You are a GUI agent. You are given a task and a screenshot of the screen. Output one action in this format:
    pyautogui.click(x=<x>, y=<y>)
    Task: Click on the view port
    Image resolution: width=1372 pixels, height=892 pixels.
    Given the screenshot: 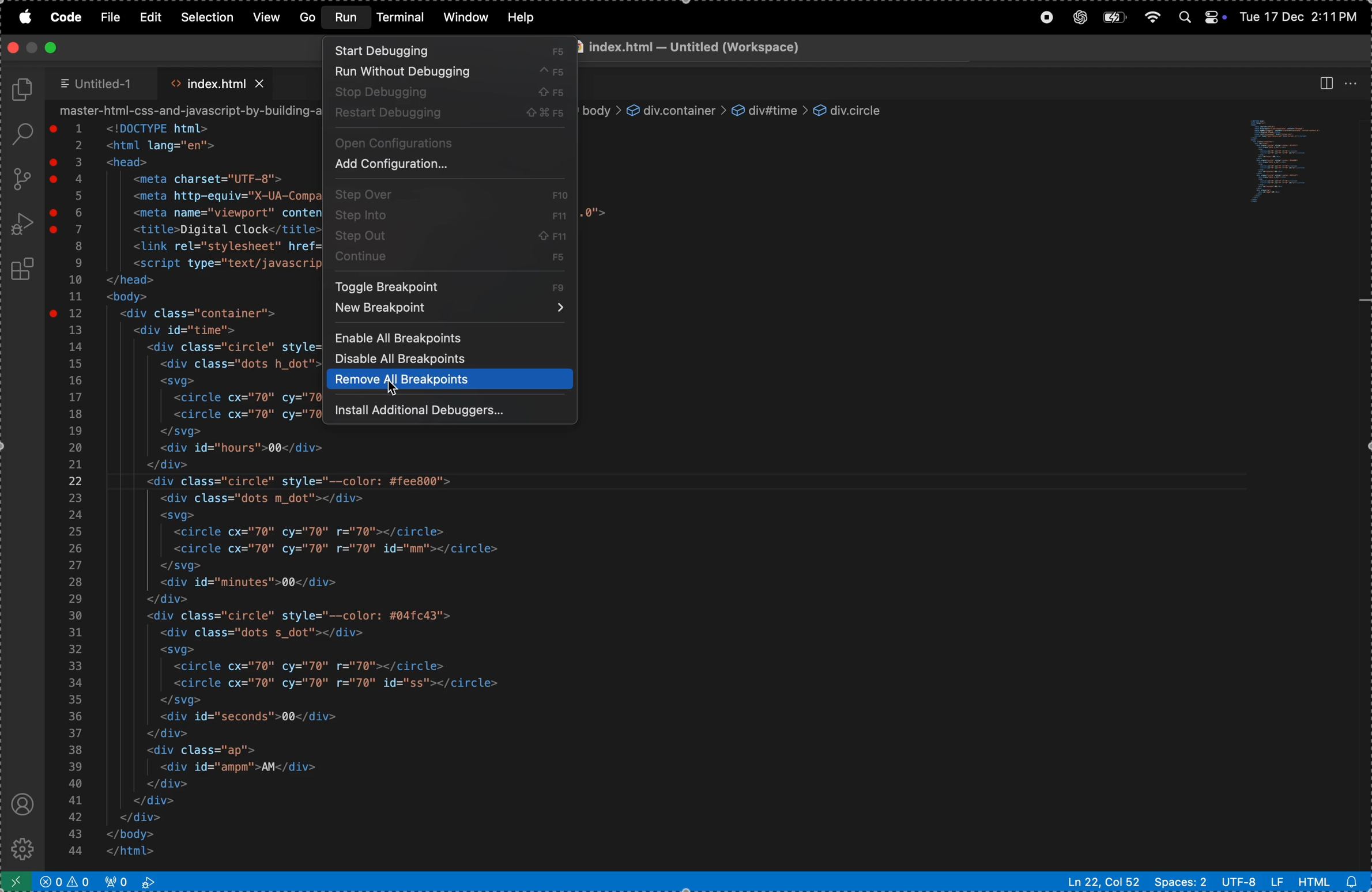 What is the action you would take?
    pyautogui.click(x=130, y=880)
    